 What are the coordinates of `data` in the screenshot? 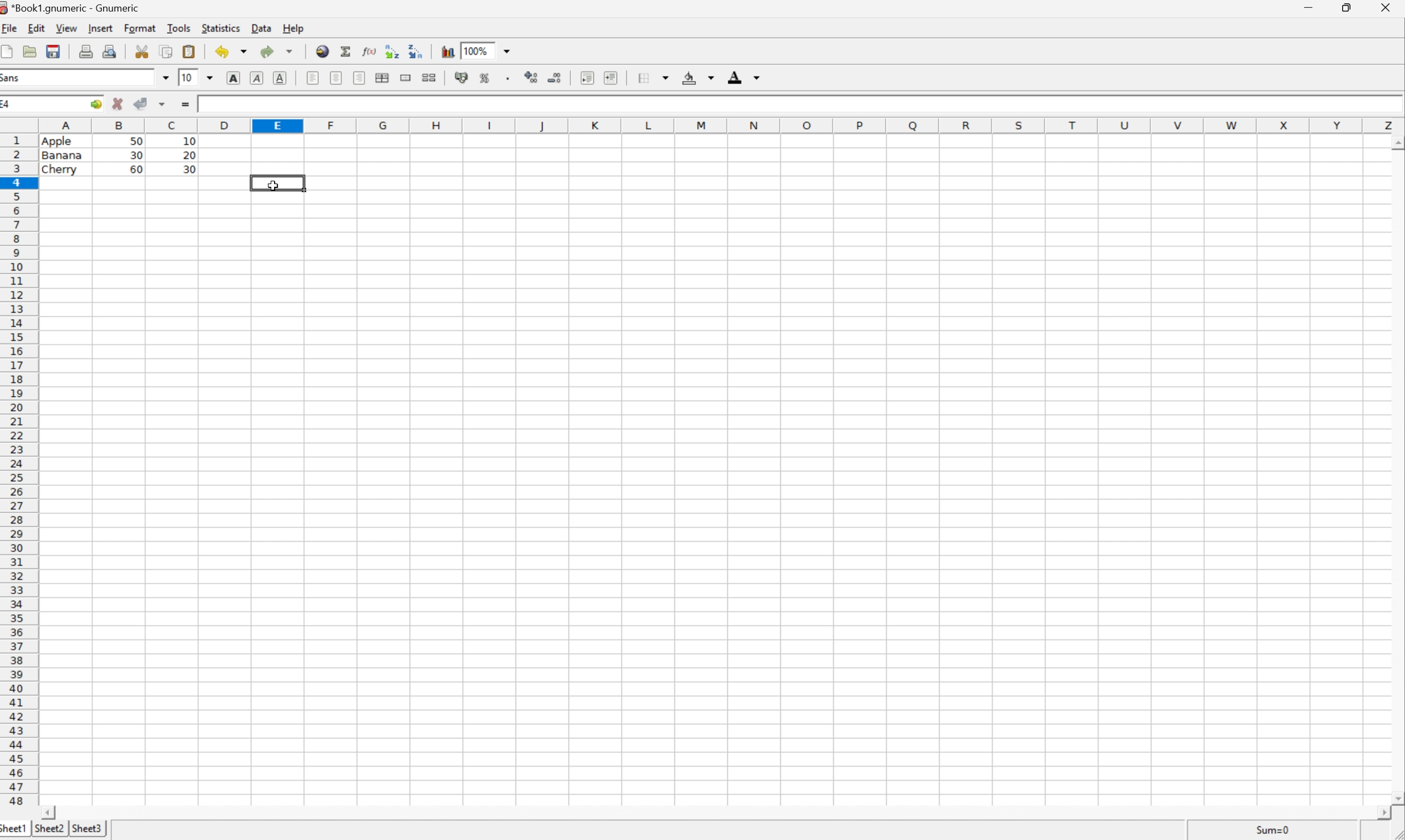 It's located at (263, 27).